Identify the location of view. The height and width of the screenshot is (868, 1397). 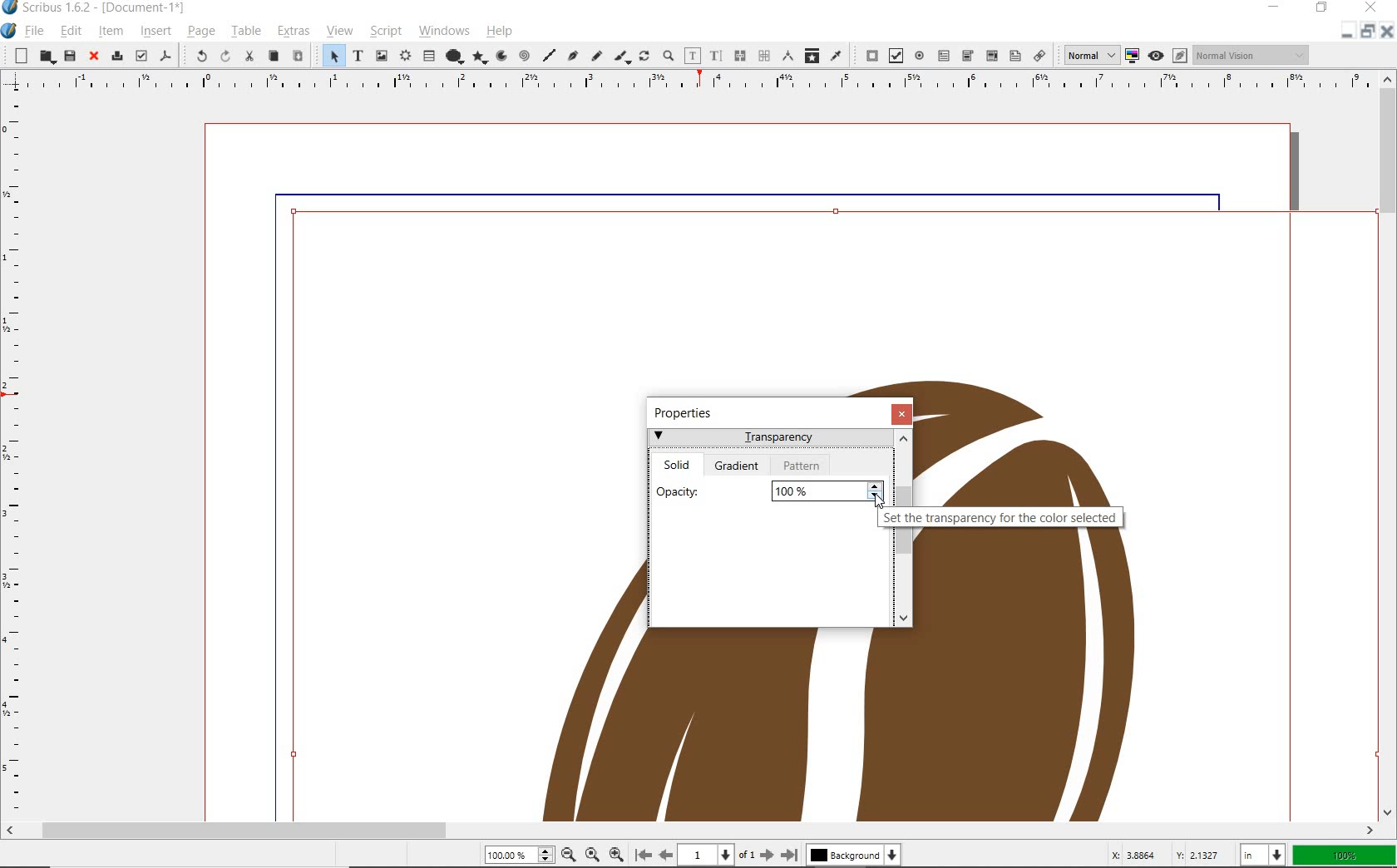
(338, 32).